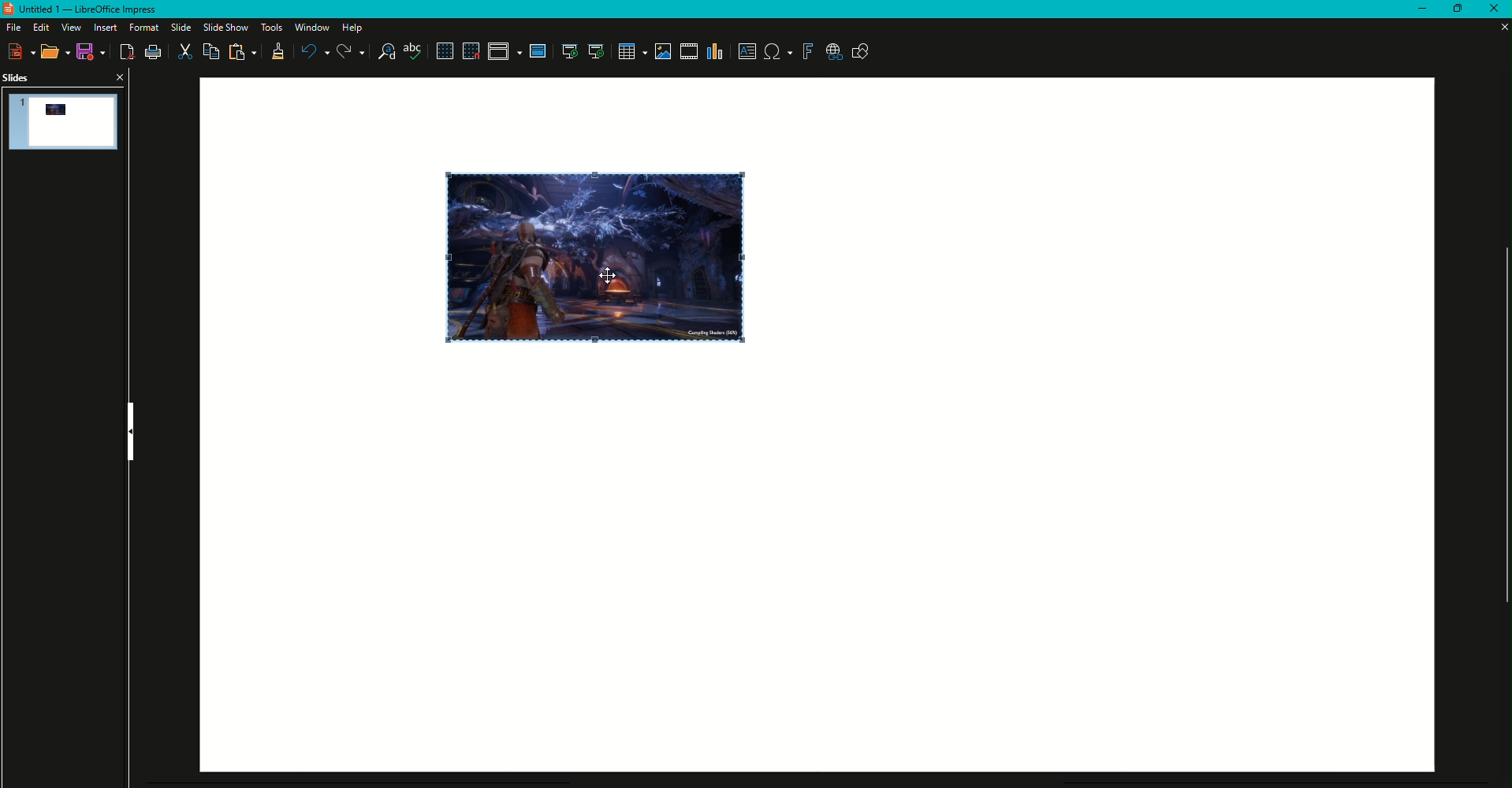  What do you see at coordinates (128, 54) in the screenshot?
I see `Export as PDF` at bounding box center [128, 54].